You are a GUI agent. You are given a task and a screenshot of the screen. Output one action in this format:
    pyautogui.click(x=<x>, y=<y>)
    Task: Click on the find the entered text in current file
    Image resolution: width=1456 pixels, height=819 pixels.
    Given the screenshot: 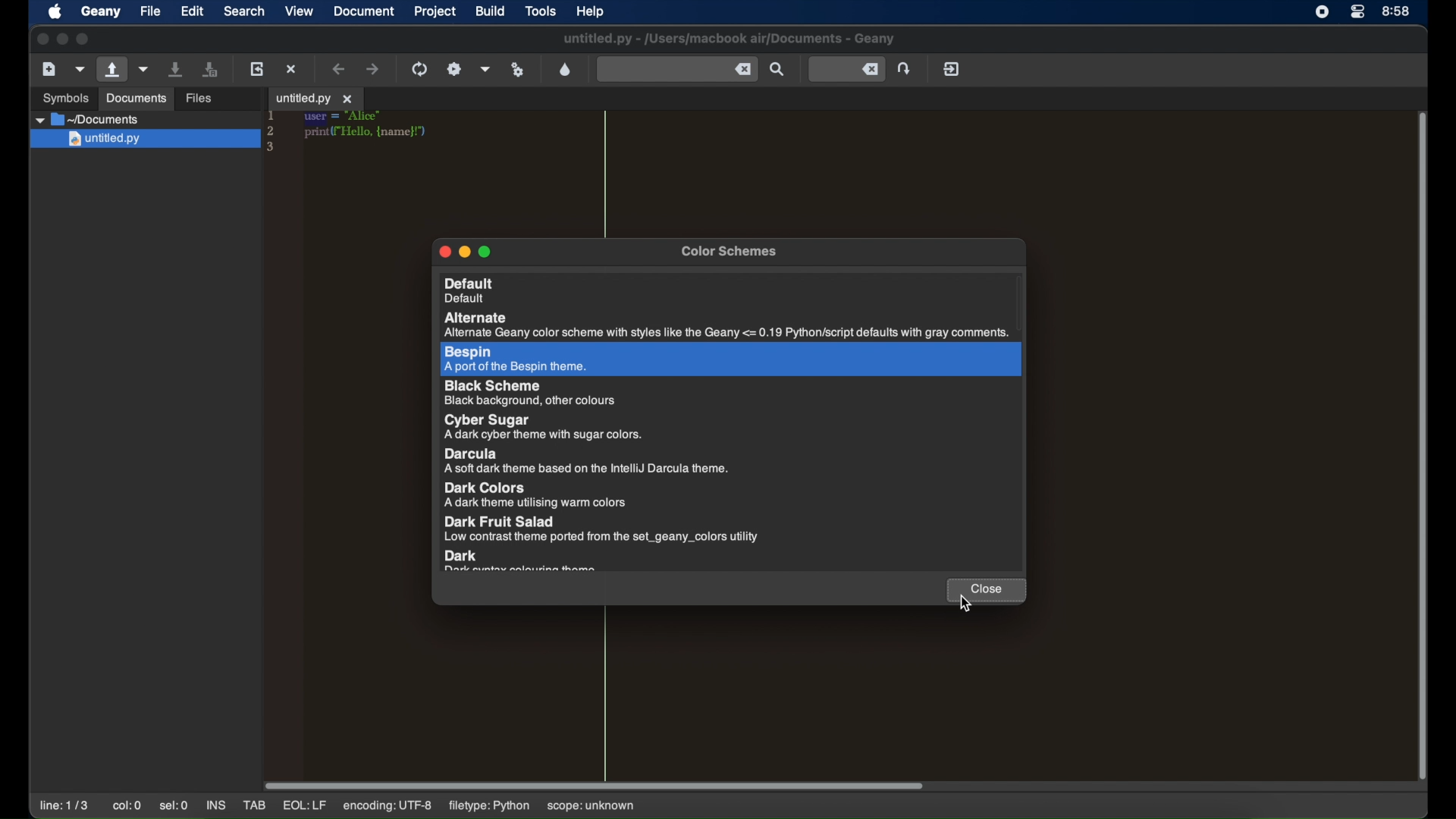 What is the action you would take?
    pyautogui.click(x=676, y=68)
    